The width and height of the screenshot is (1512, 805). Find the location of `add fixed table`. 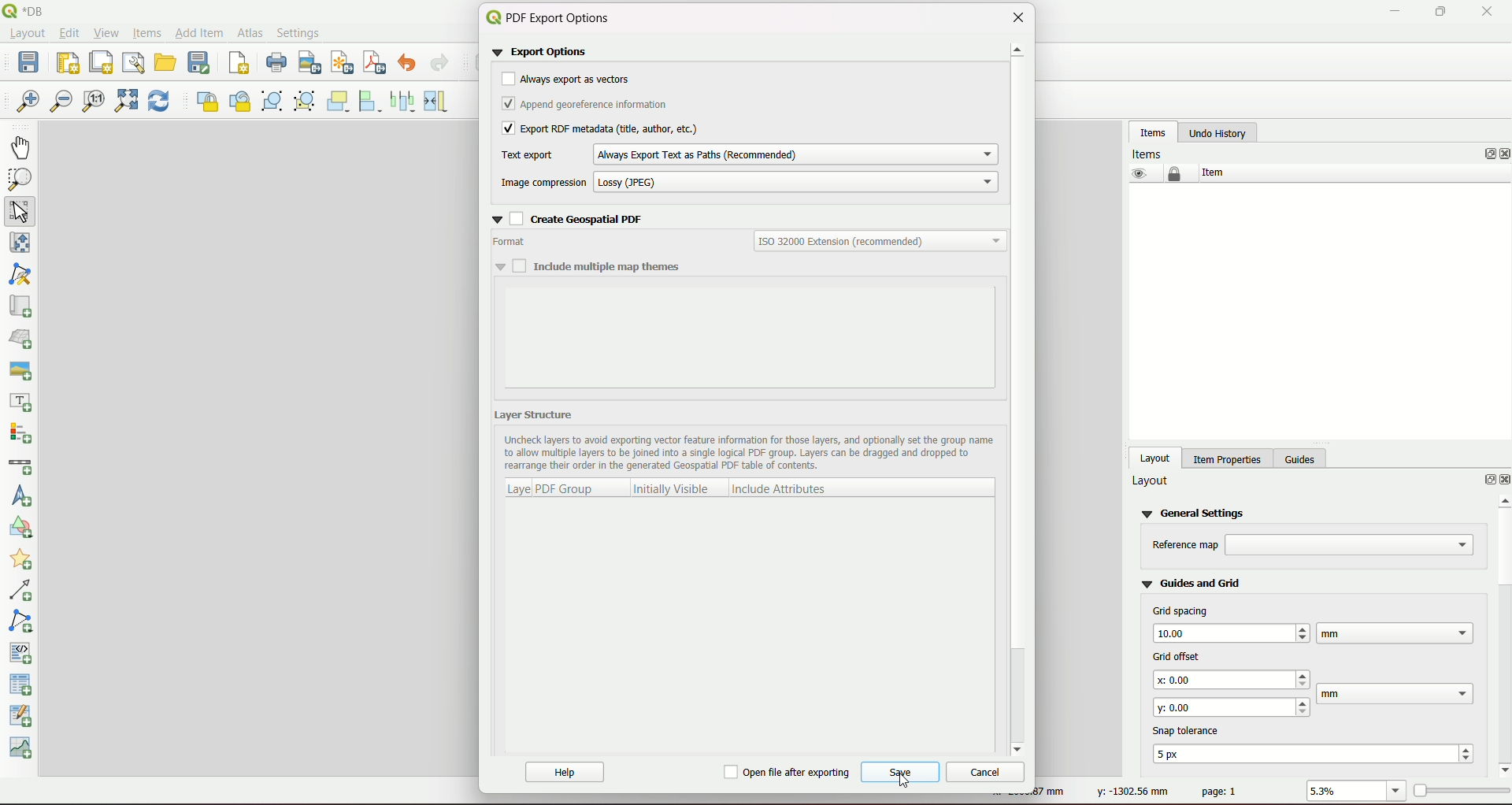

add fixed table is located at coordinates (23, 684).